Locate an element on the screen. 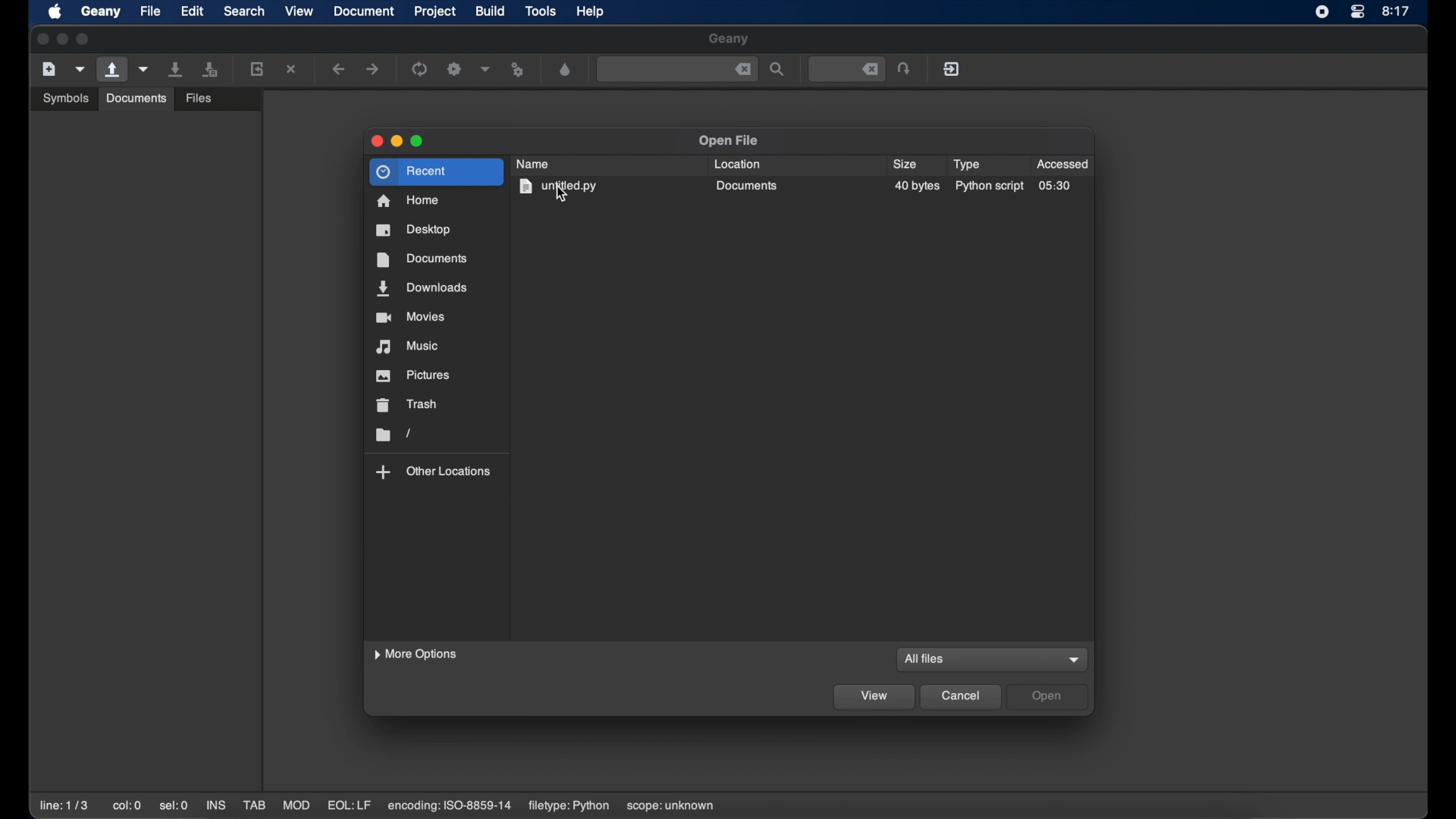  symbols is located at coordinates (67, 98).